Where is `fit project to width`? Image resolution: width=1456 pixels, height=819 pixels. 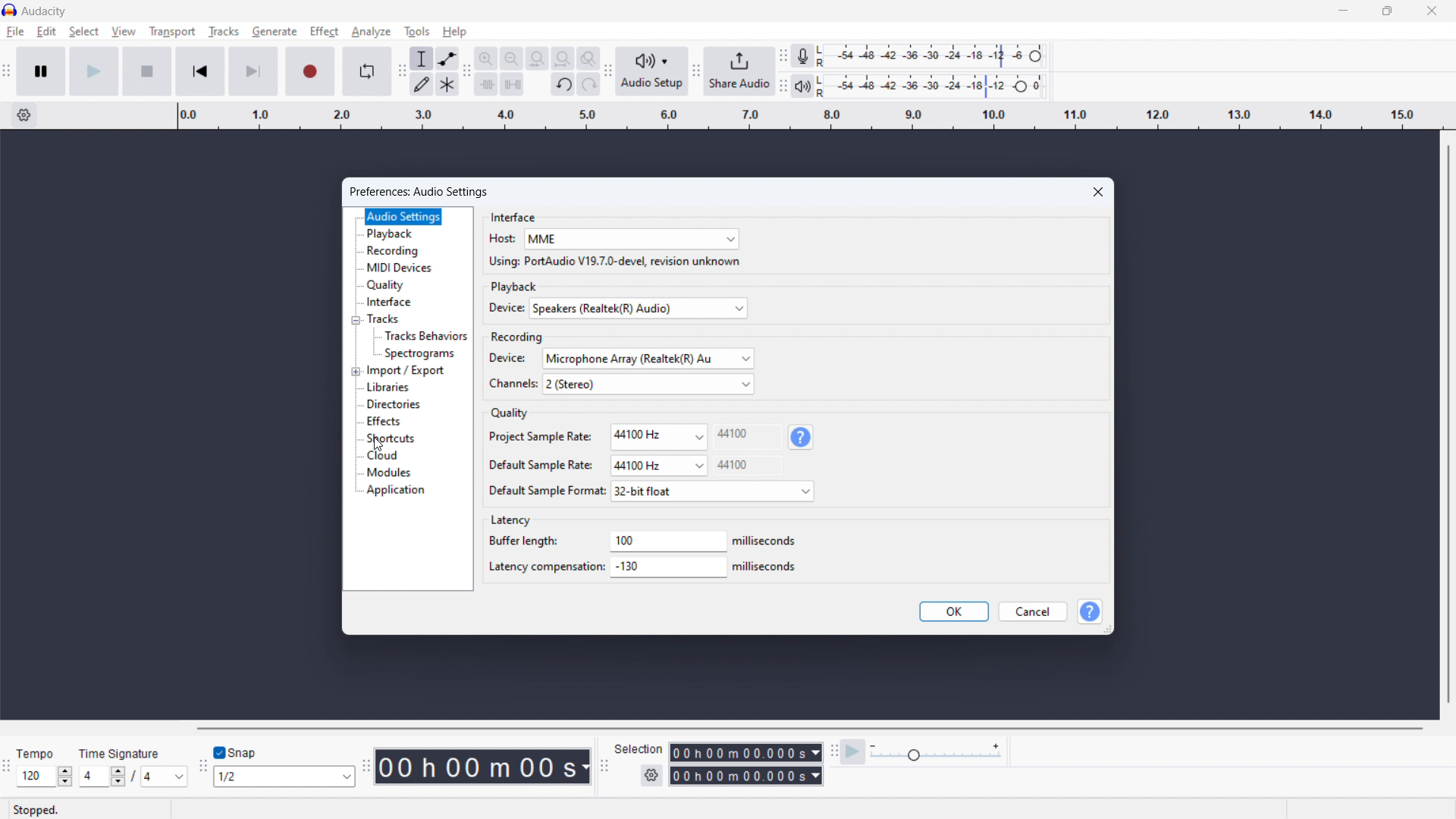
fit project to width is located at coordinates (563, 58).